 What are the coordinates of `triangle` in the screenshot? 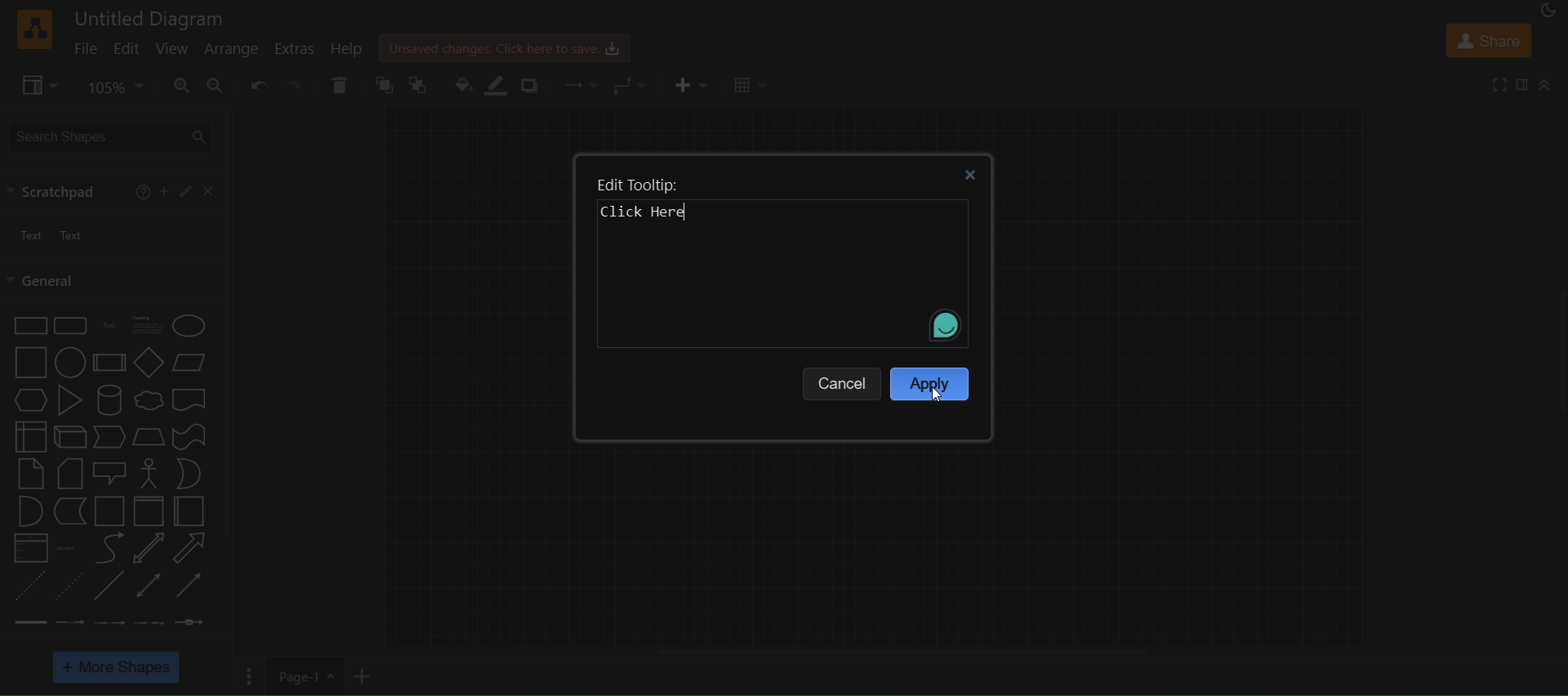 It's located at (69, 400).